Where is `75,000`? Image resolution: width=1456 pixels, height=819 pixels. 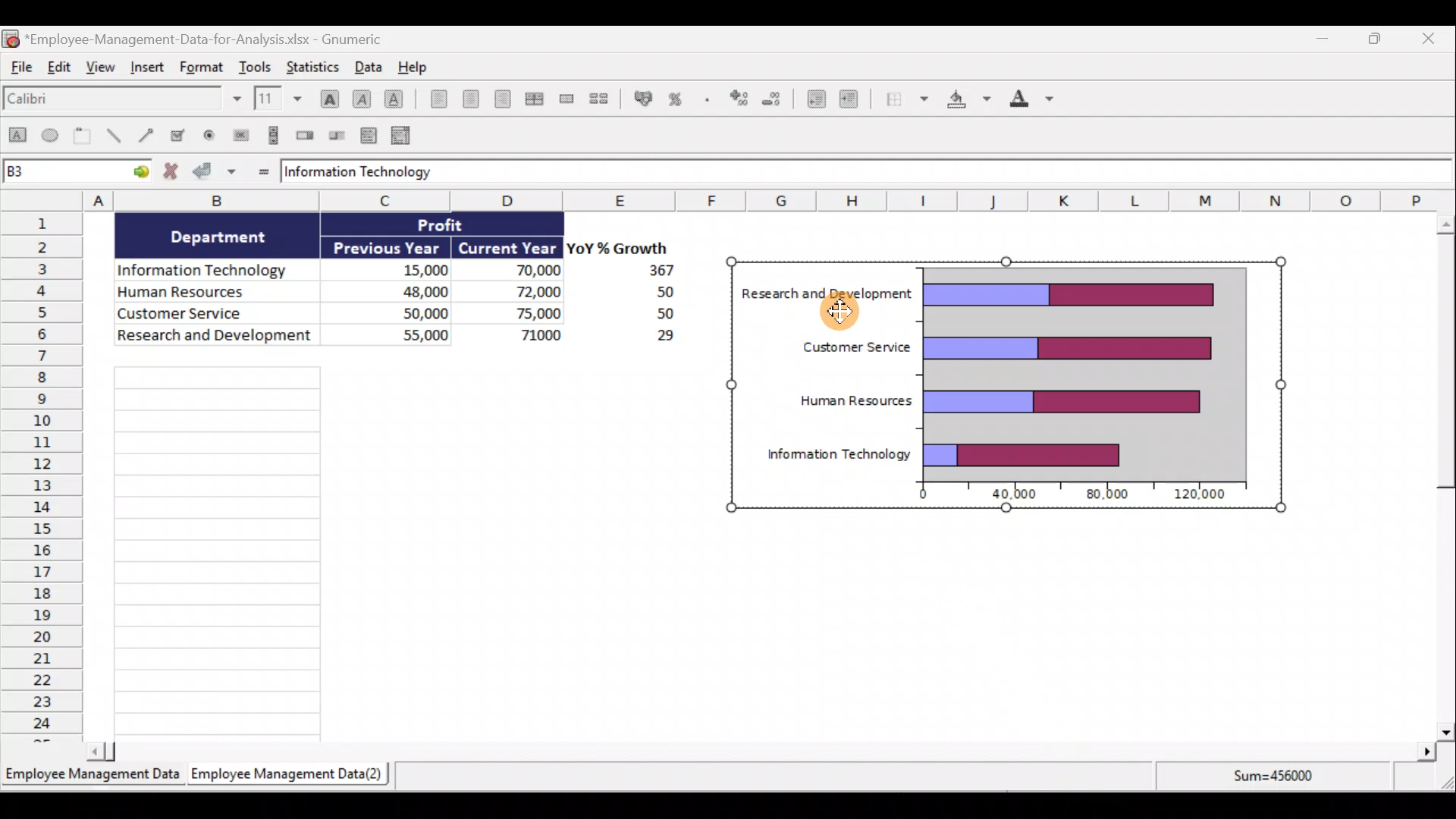 75,000 is located at coordinates (525, 314).